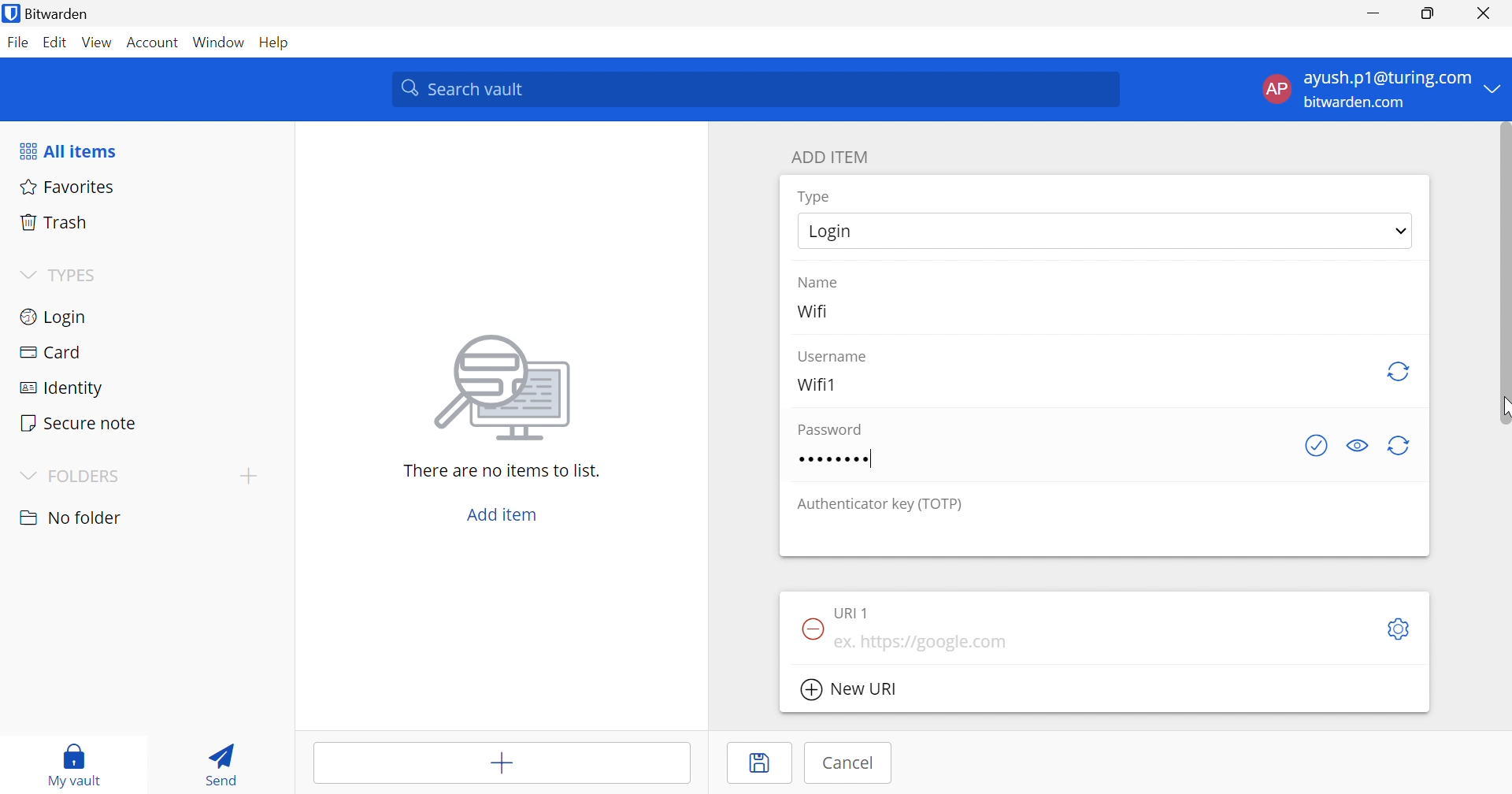 This screenshot has width=1512, height=794. What do you see at coordinates (1321, 445) in the screenshot?
I see `Check if password has been exposed` at bounding box center [1321, 445].